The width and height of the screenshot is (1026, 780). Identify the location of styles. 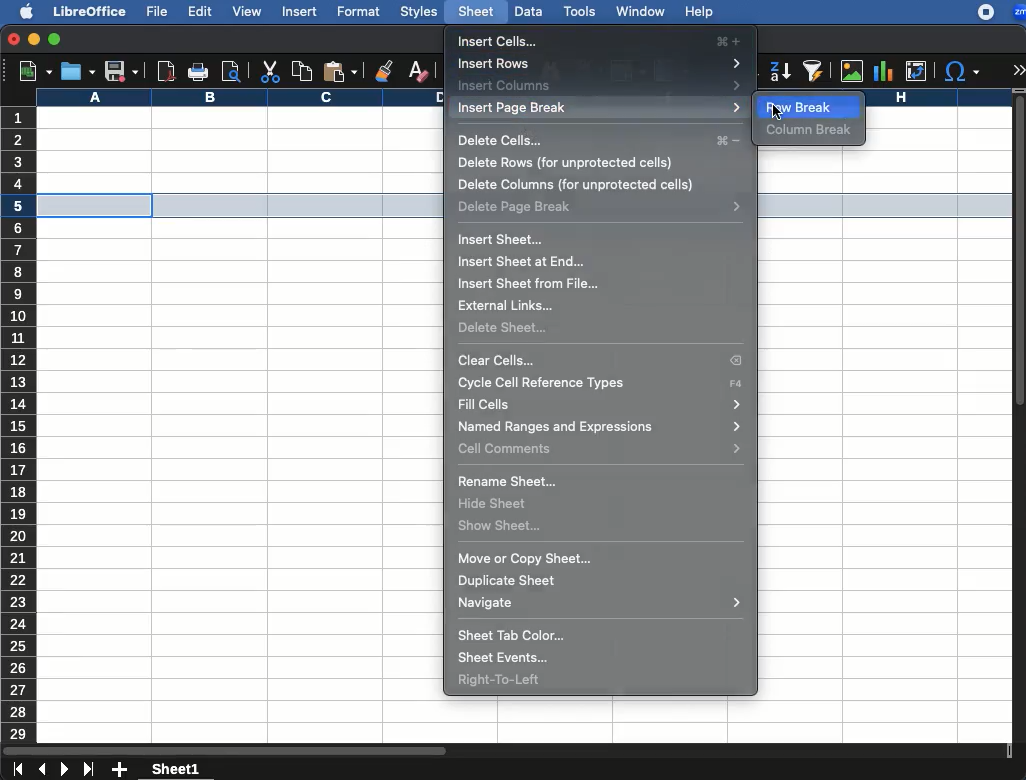
(420, 12).